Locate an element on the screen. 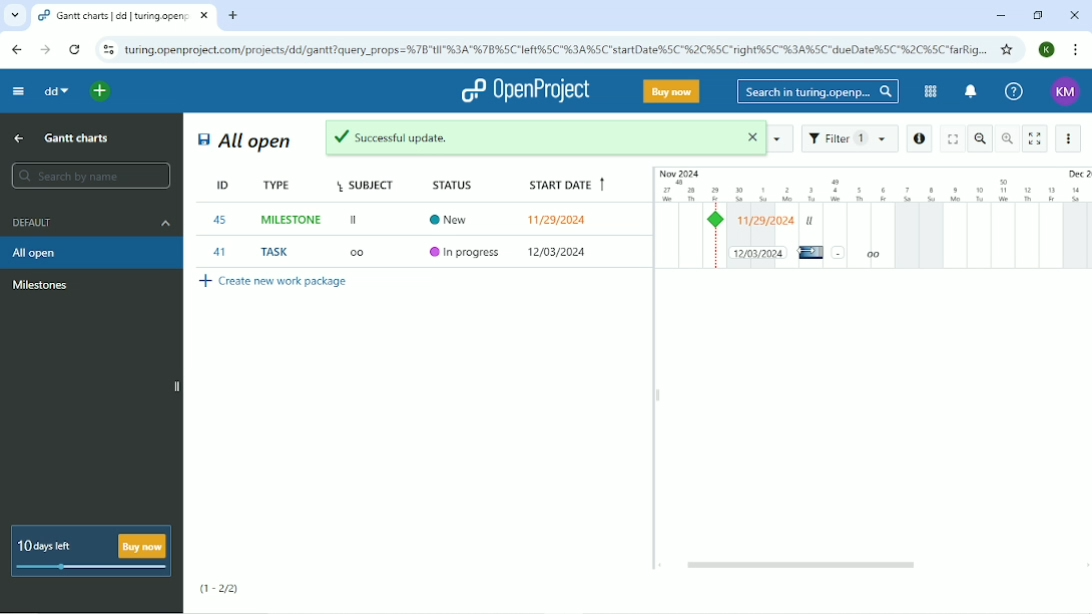 Image resolution: width=1092 pixels, height=614 pixels. Restore down is located at coordinates (1039, 16).